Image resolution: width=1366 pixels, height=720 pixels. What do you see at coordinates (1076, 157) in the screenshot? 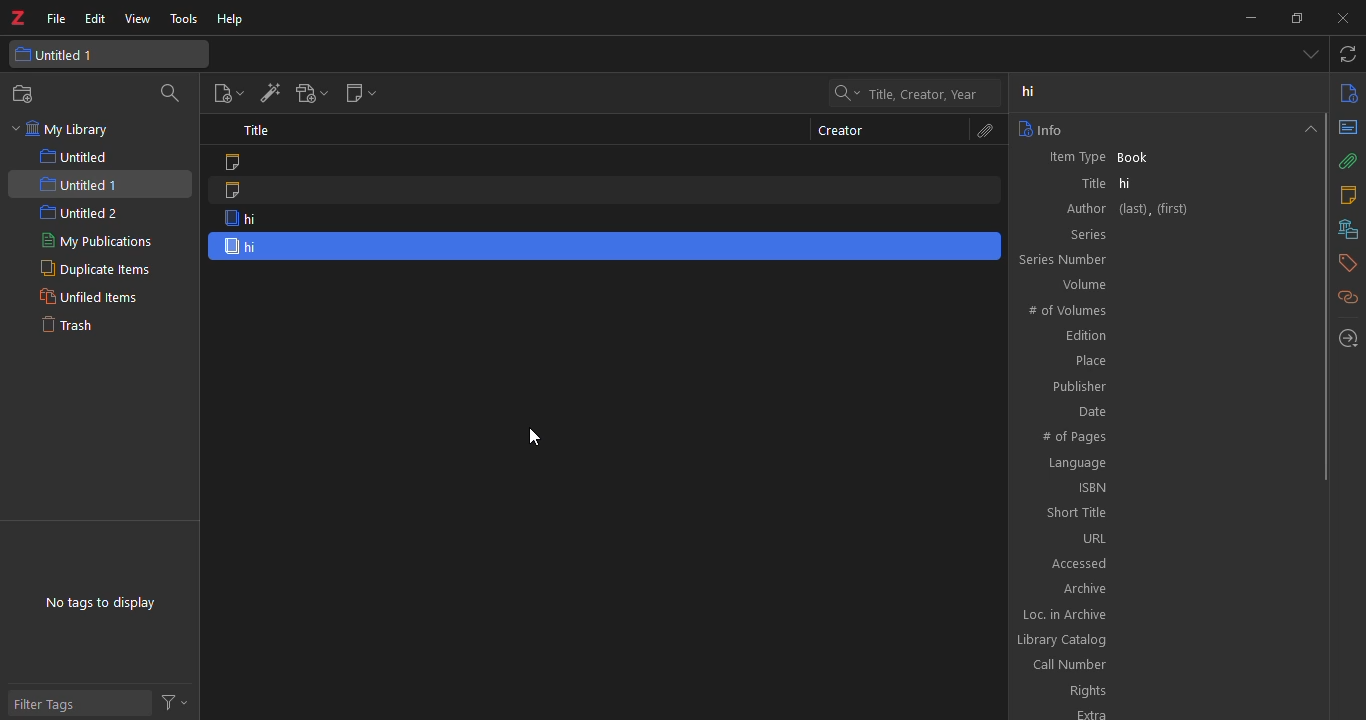
I see `item type` at bounding box center [1076, 157].